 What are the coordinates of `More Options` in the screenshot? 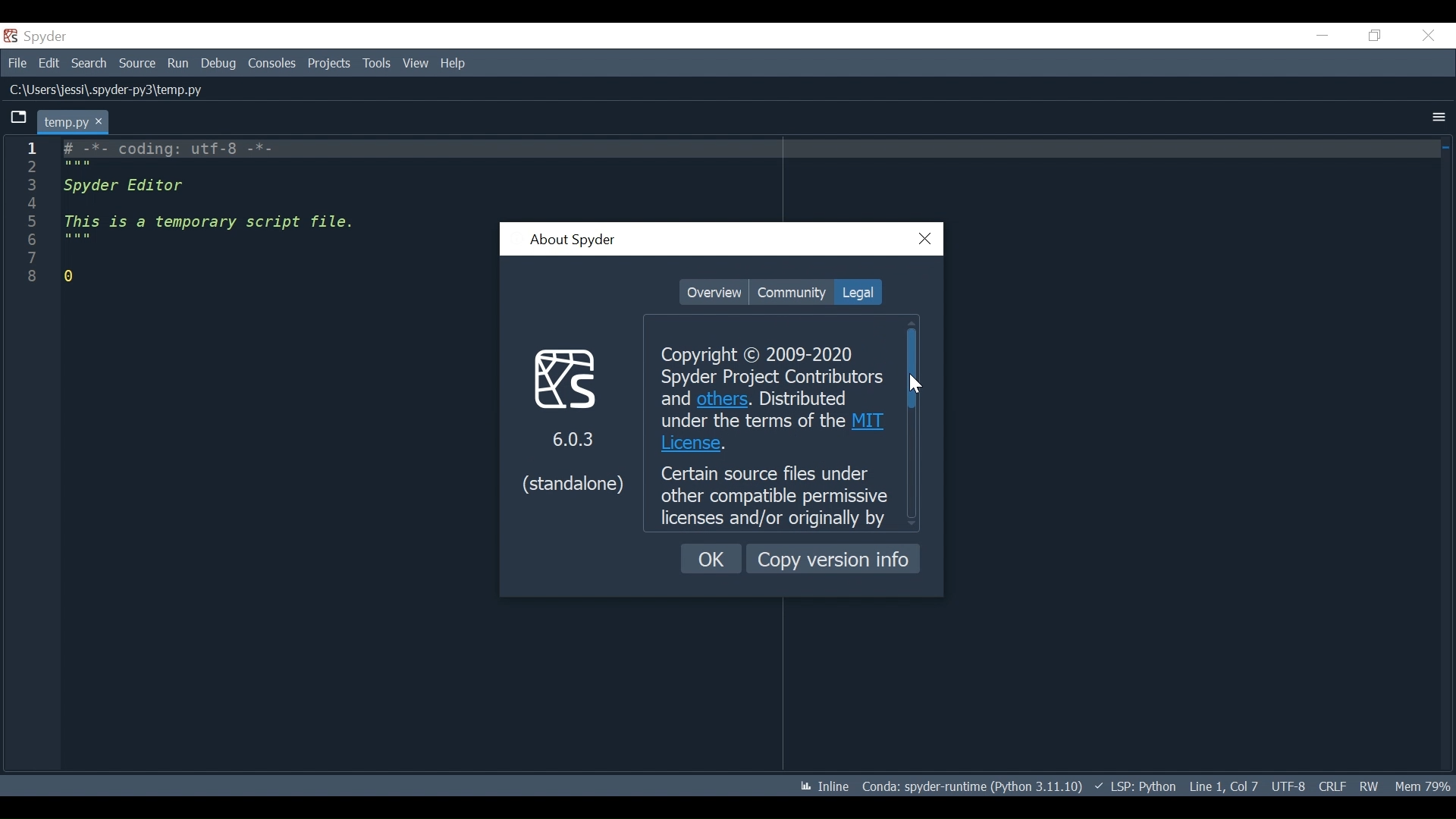 It's located at (1439, 118).